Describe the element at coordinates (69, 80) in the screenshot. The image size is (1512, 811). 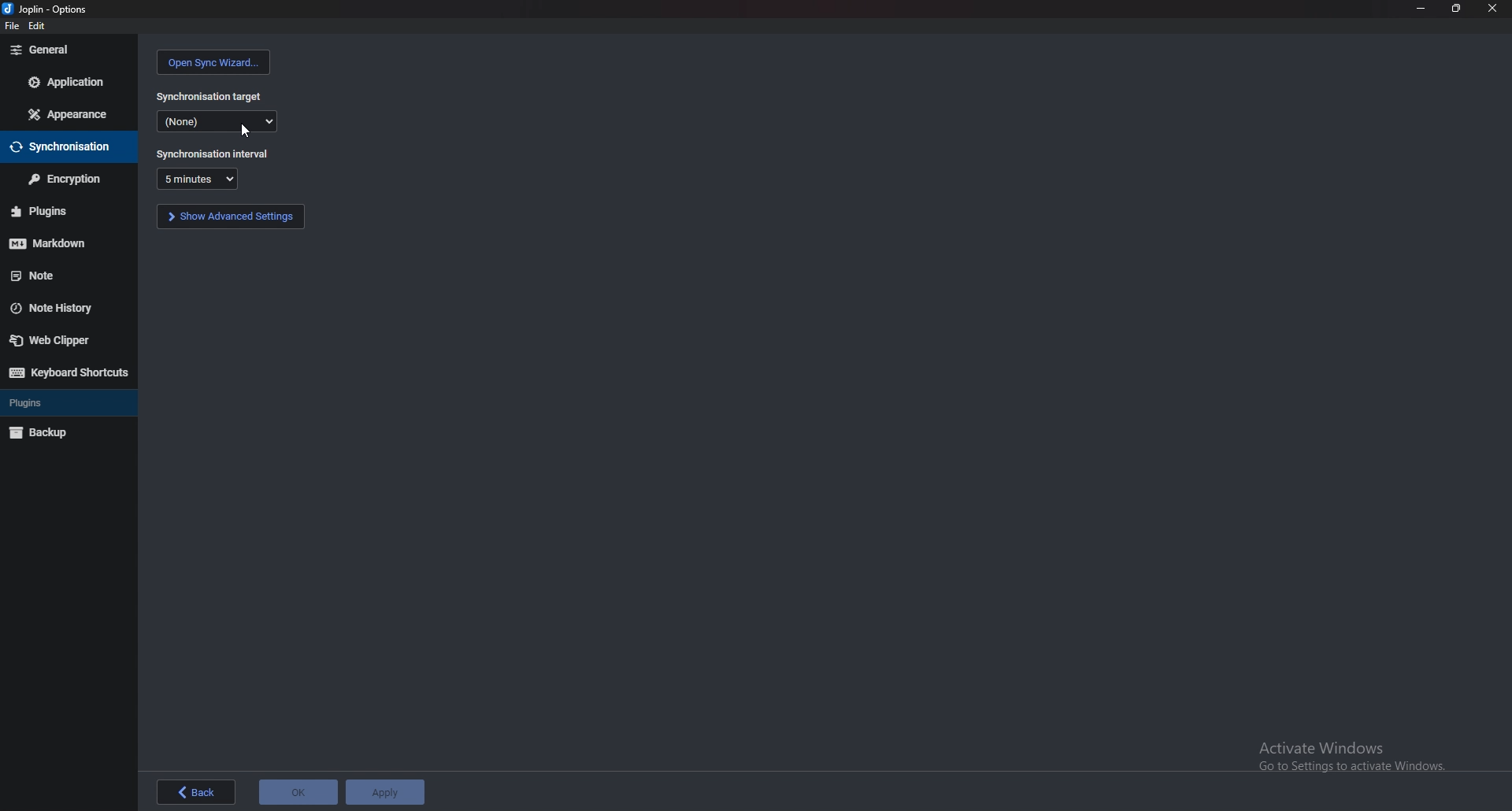
I see `application` at that location.